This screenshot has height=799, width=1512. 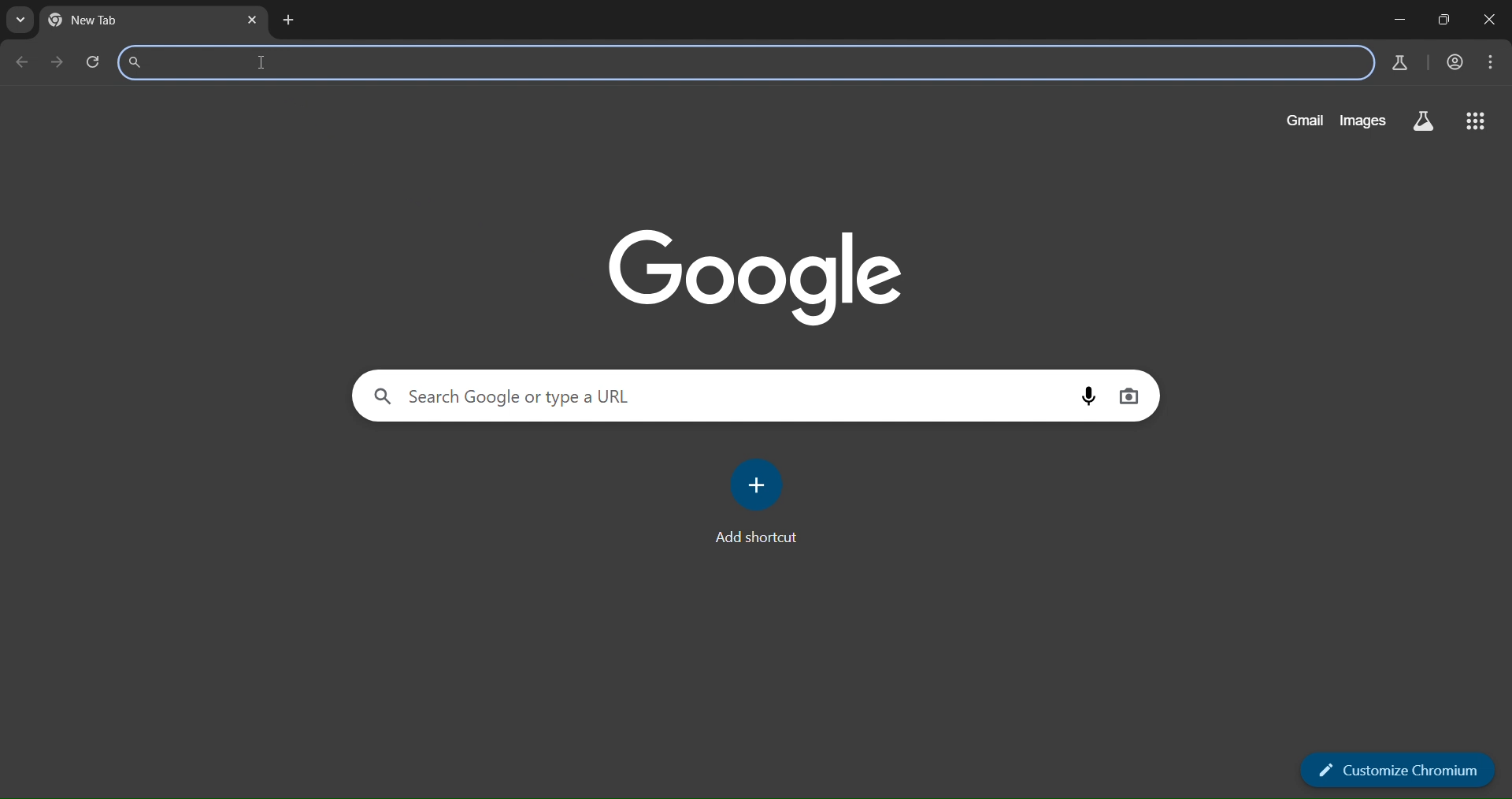 I want to click on Minimize, so click(x=1402, y=19).